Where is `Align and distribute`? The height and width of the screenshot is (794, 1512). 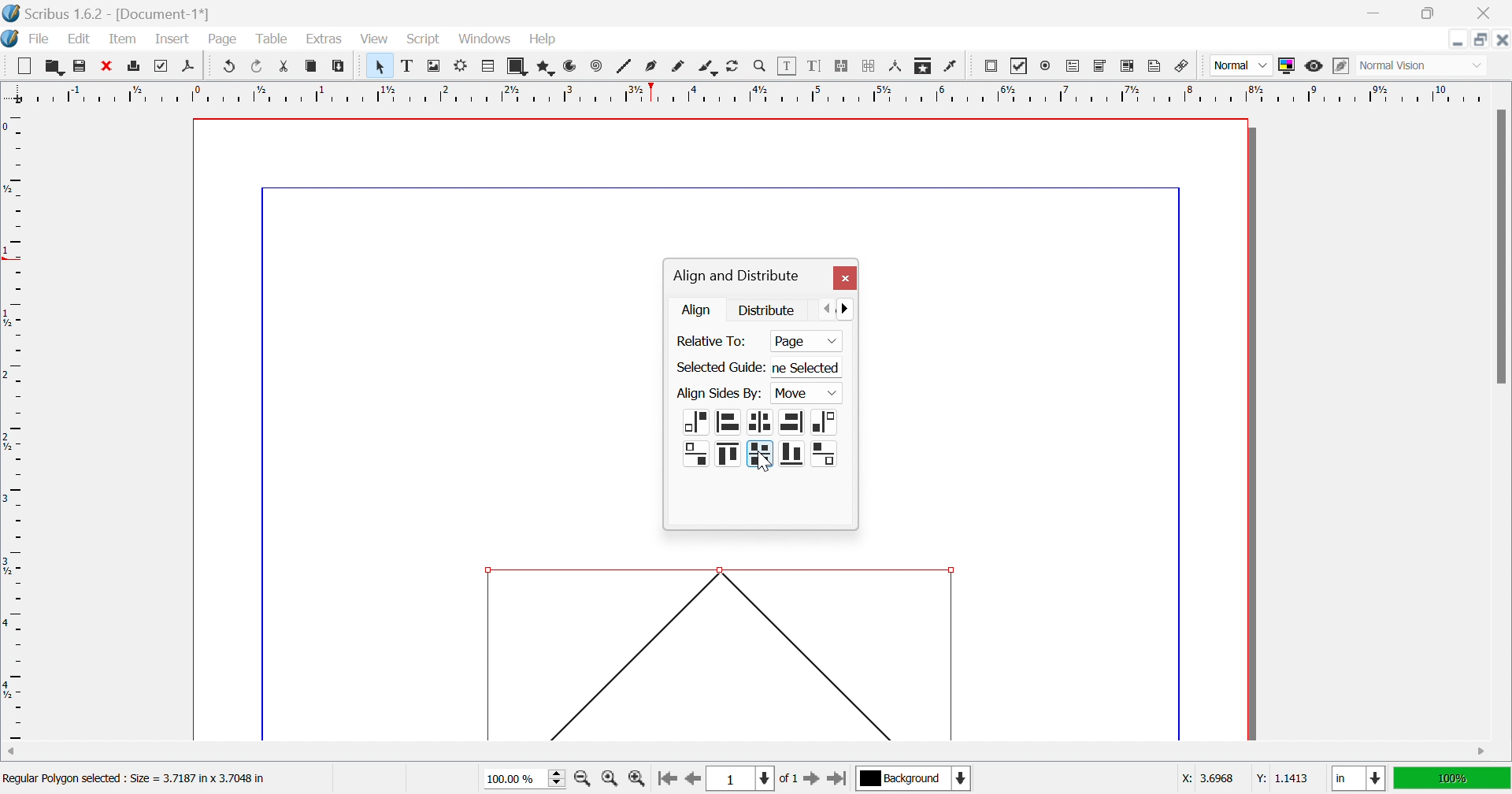
Align and distribute is located at coordinates (736, 276).